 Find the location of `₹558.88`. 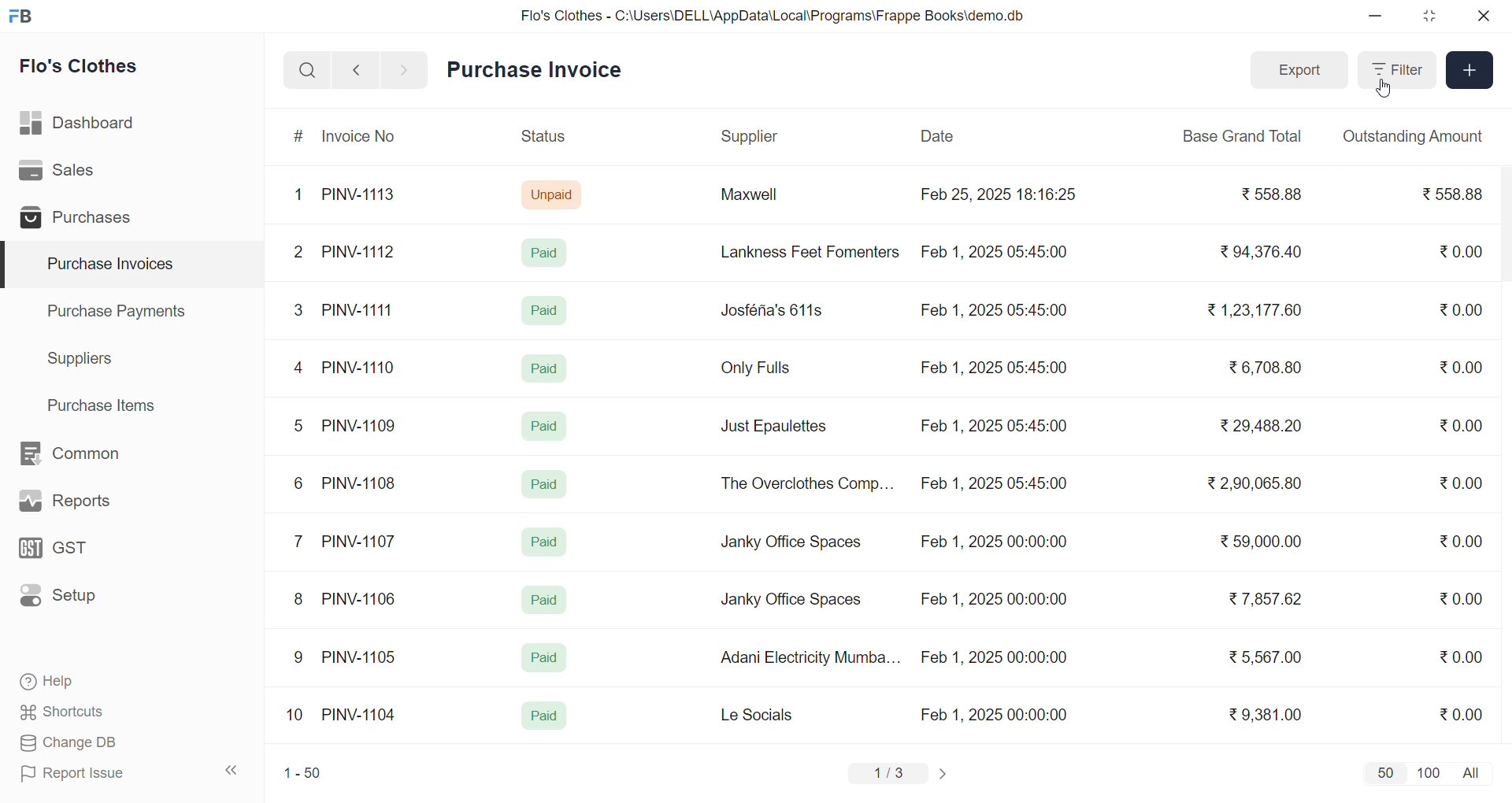

₹558.88 is located at coordinates (1455, 194).